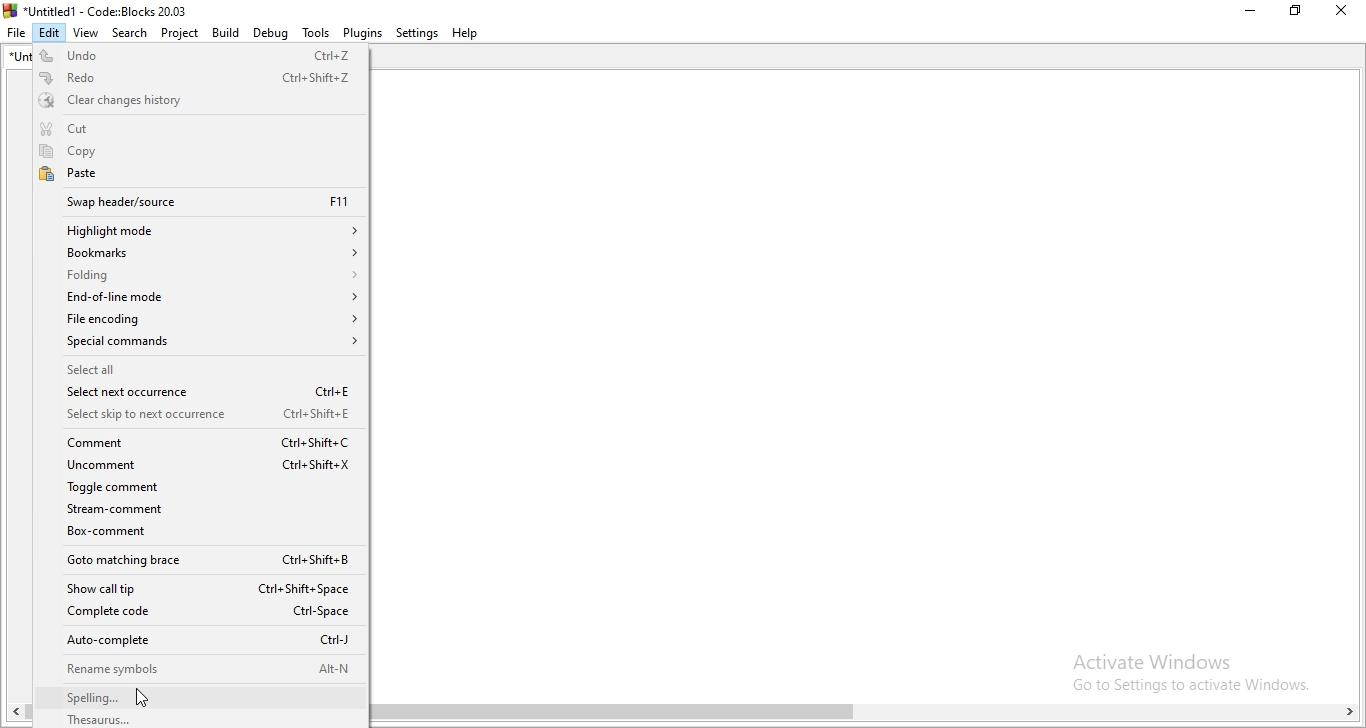 This screenshot has height=728, width=1366. I want to click on Special commands, so click(200, 342).